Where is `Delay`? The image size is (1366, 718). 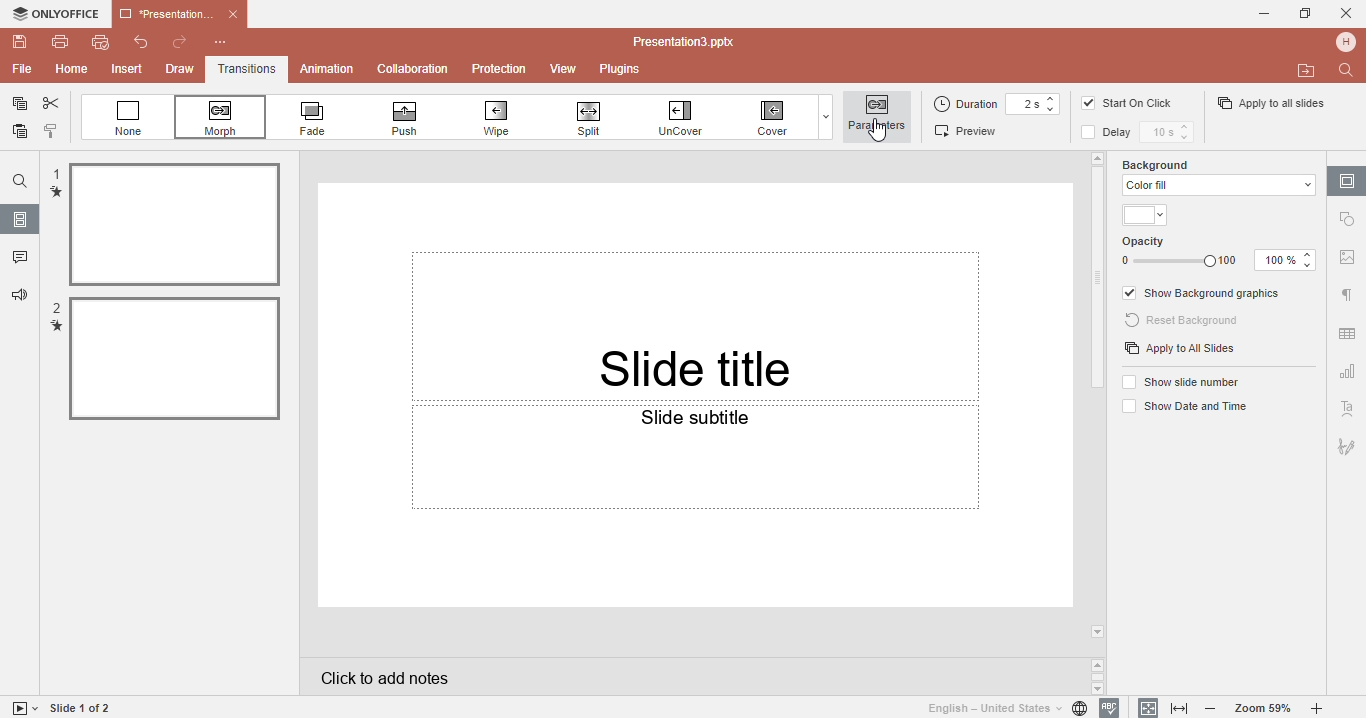
Delay is located at coordinates (1112, 132).